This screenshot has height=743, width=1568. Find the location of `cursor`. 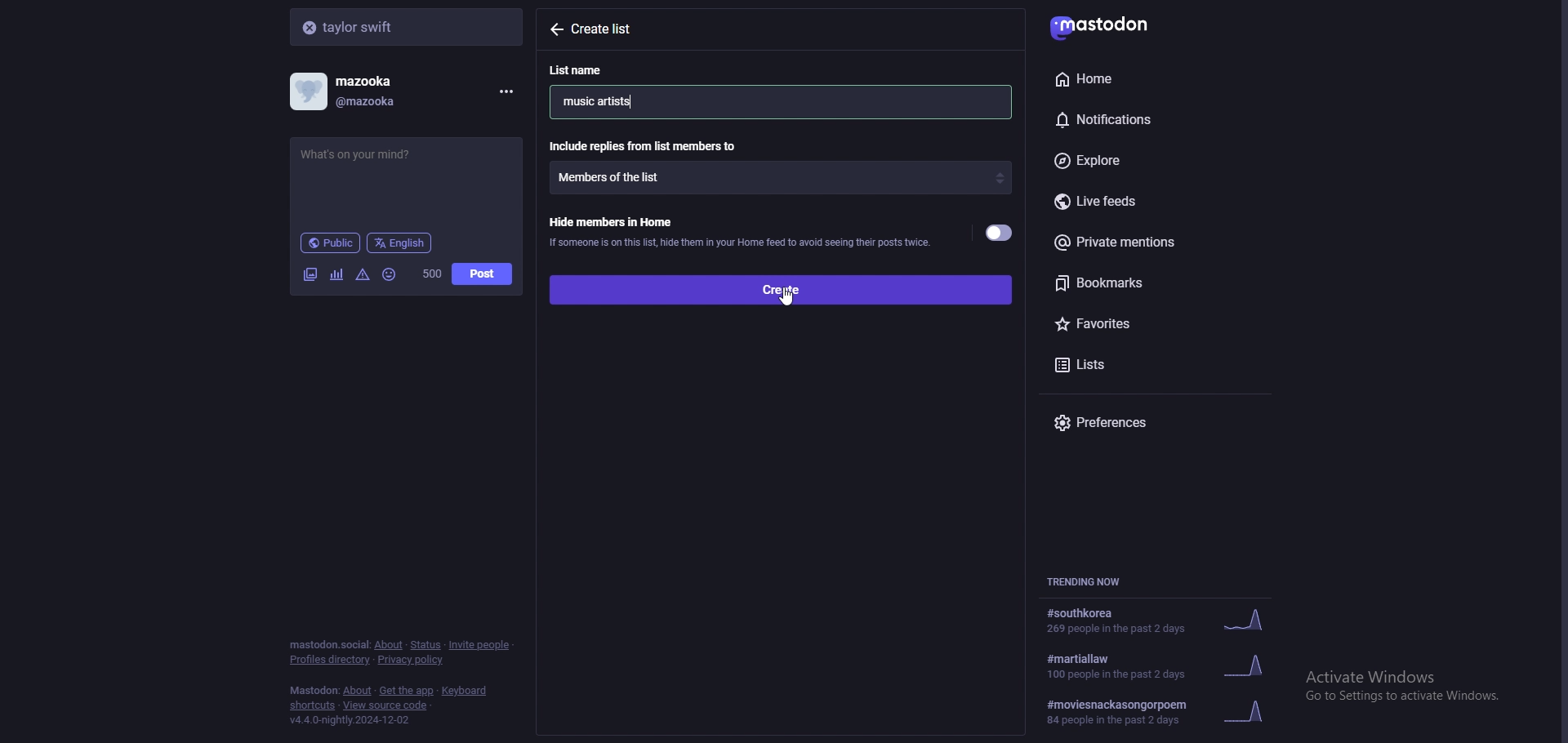

cursor is located at coordinates (786, 298).